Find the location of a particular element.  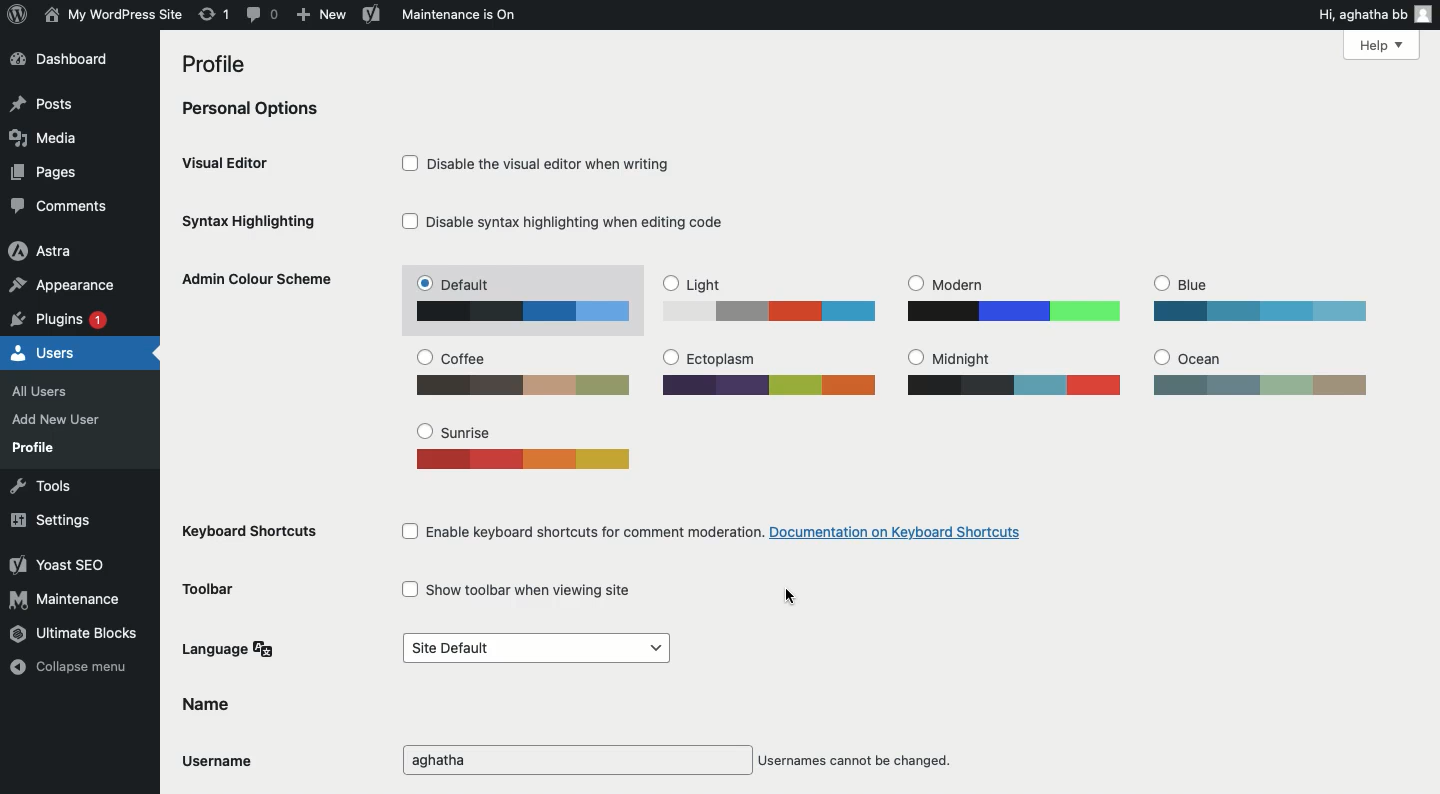

Settings is located at coordinates (53, 520).